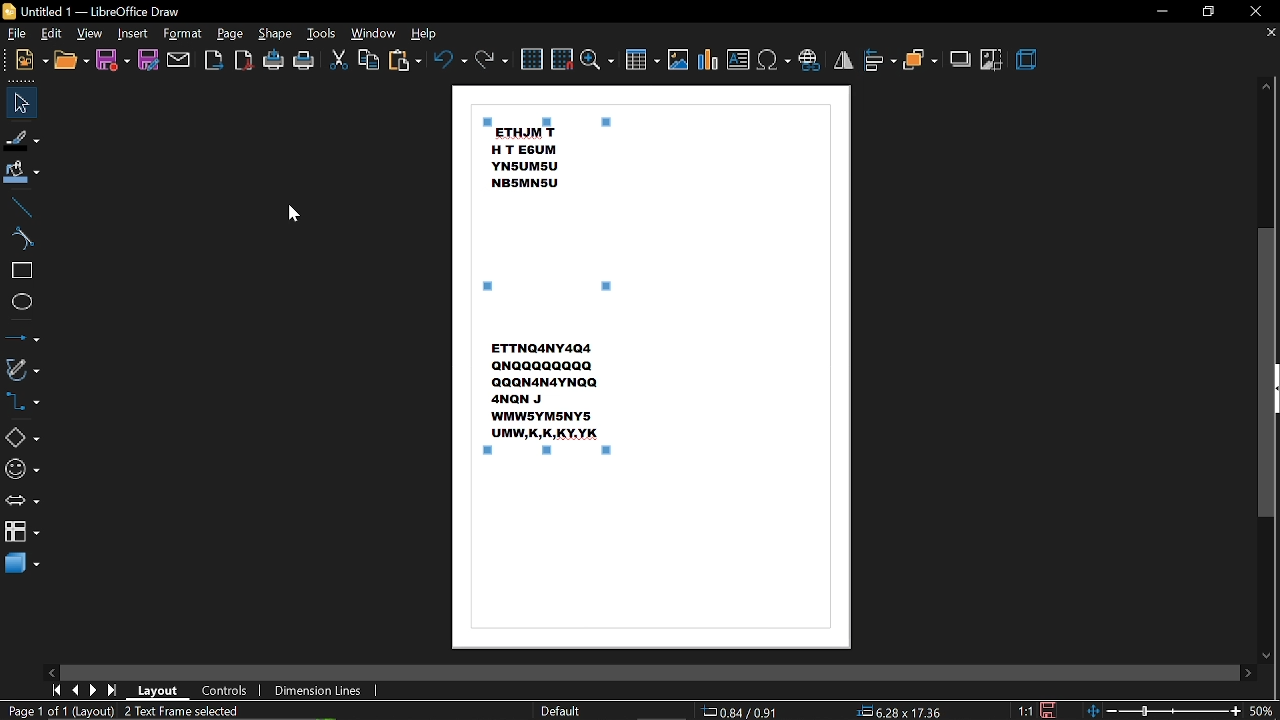 The width and height of the screenshot is (1280, 720). Describe the element at coordinates (21, 103) in the screenshot. I see `select` at that location.